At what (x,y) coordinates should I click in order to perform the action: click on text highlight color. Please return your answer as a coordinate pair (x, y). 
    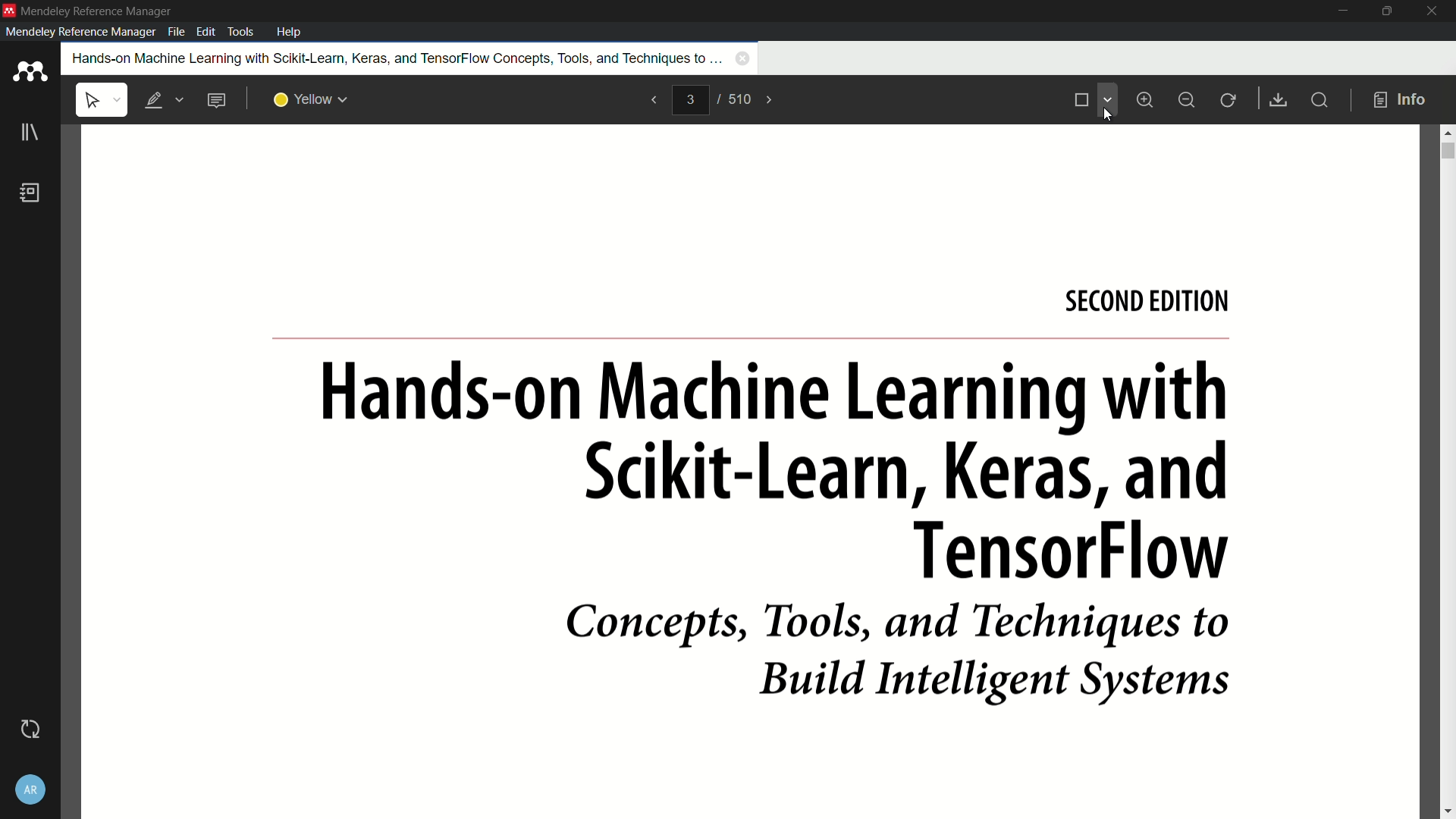
    Looking at the image, I should click on (312, 101).